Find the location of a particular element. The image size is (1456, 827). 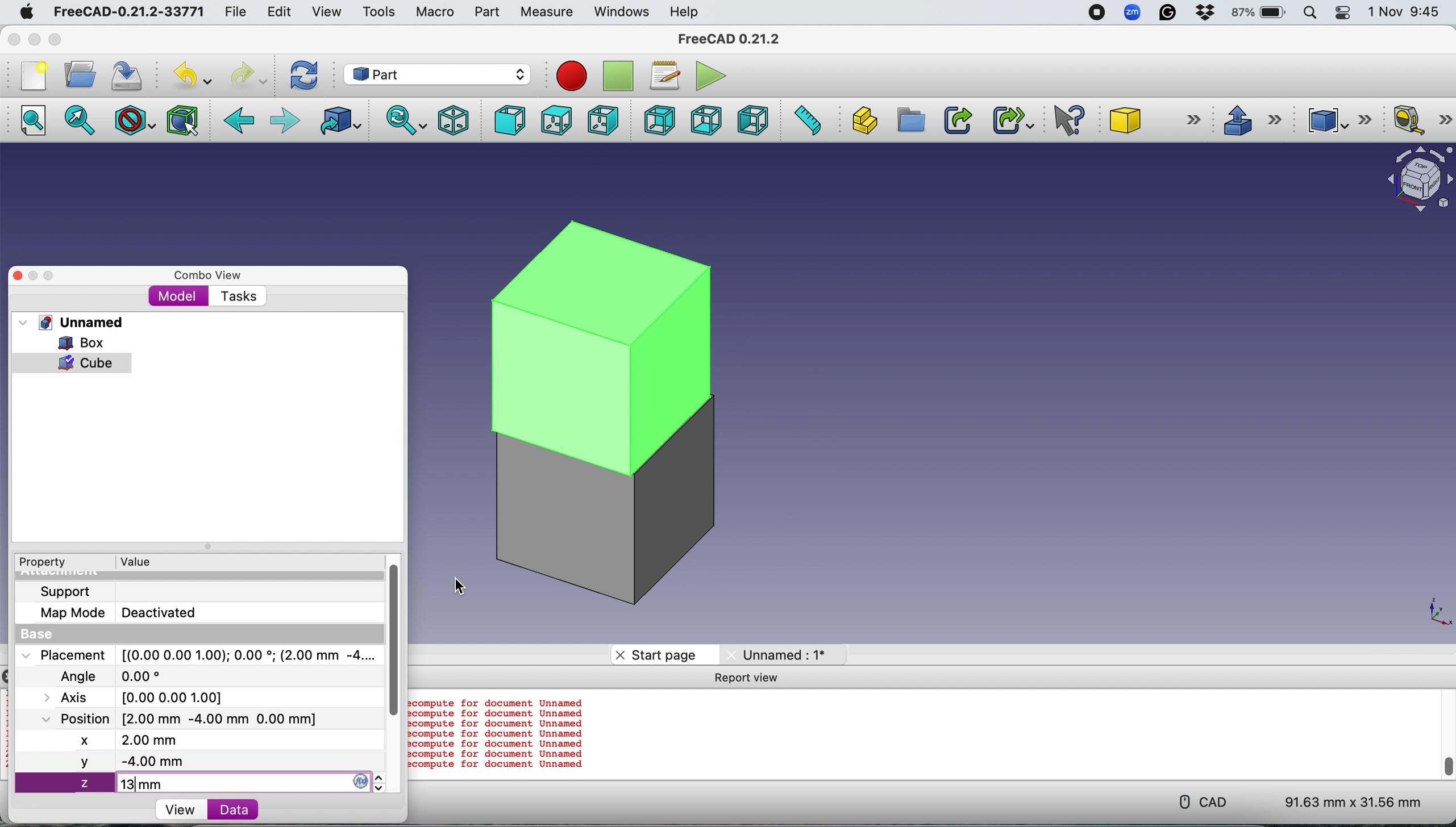

Model is located at coordinates (178, 297).